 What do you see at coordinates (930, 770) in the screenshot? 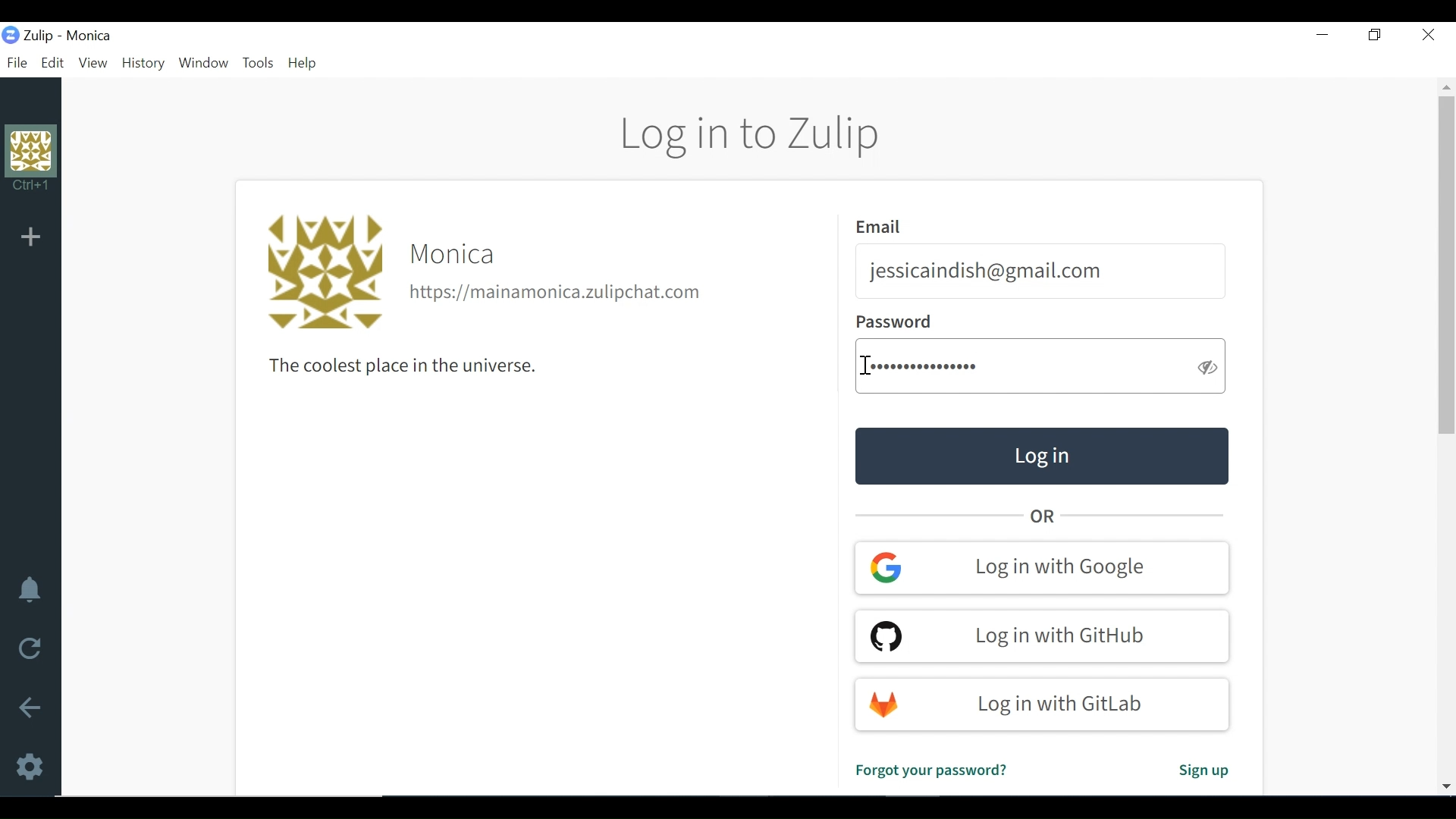
I see `Forgot password` at bounding box center [930, 770].